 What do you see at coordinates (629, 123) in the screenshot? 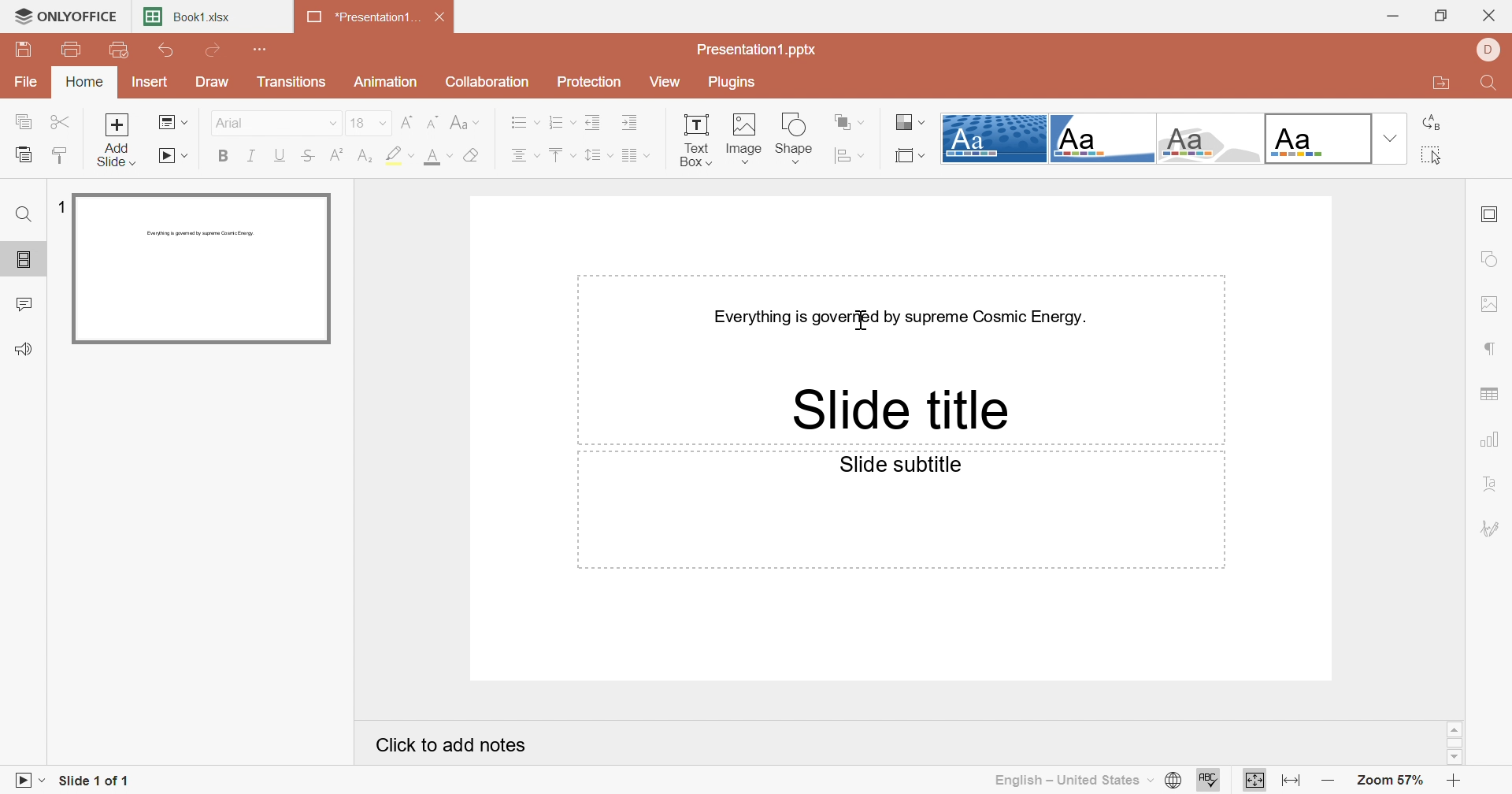
I see `Increase Indent` at bounding box center [629, 123].